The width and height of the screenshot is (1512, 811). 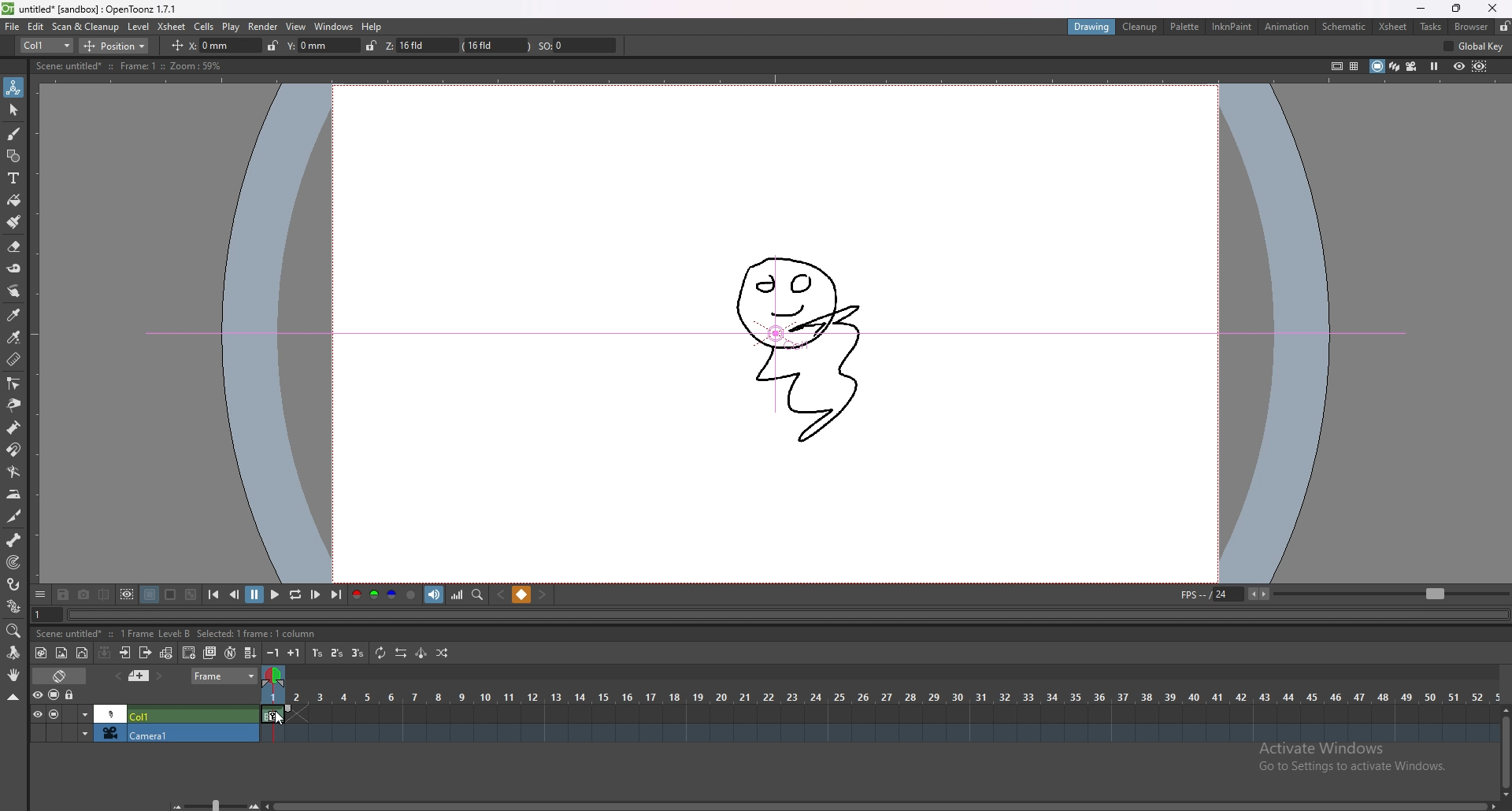 I want to click on decrease step, so click(x=274, y=654).